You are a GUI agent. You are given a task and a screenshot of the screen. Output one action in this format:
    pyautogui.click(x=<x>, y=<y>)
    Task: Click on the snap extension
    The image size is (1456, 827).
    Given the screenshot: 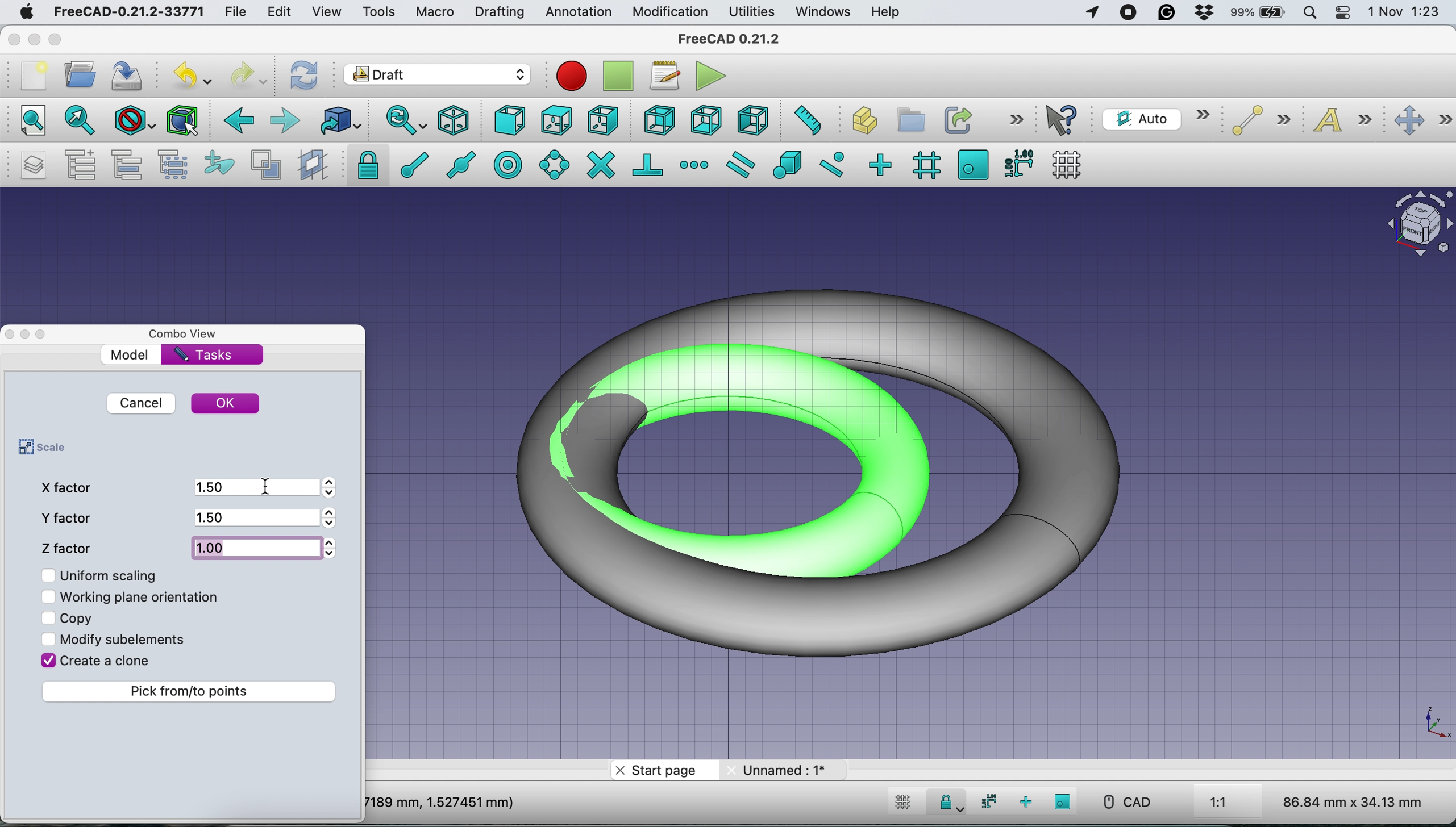 What is the action you would take?
    pyautogui.click(x=694, y=164)
    